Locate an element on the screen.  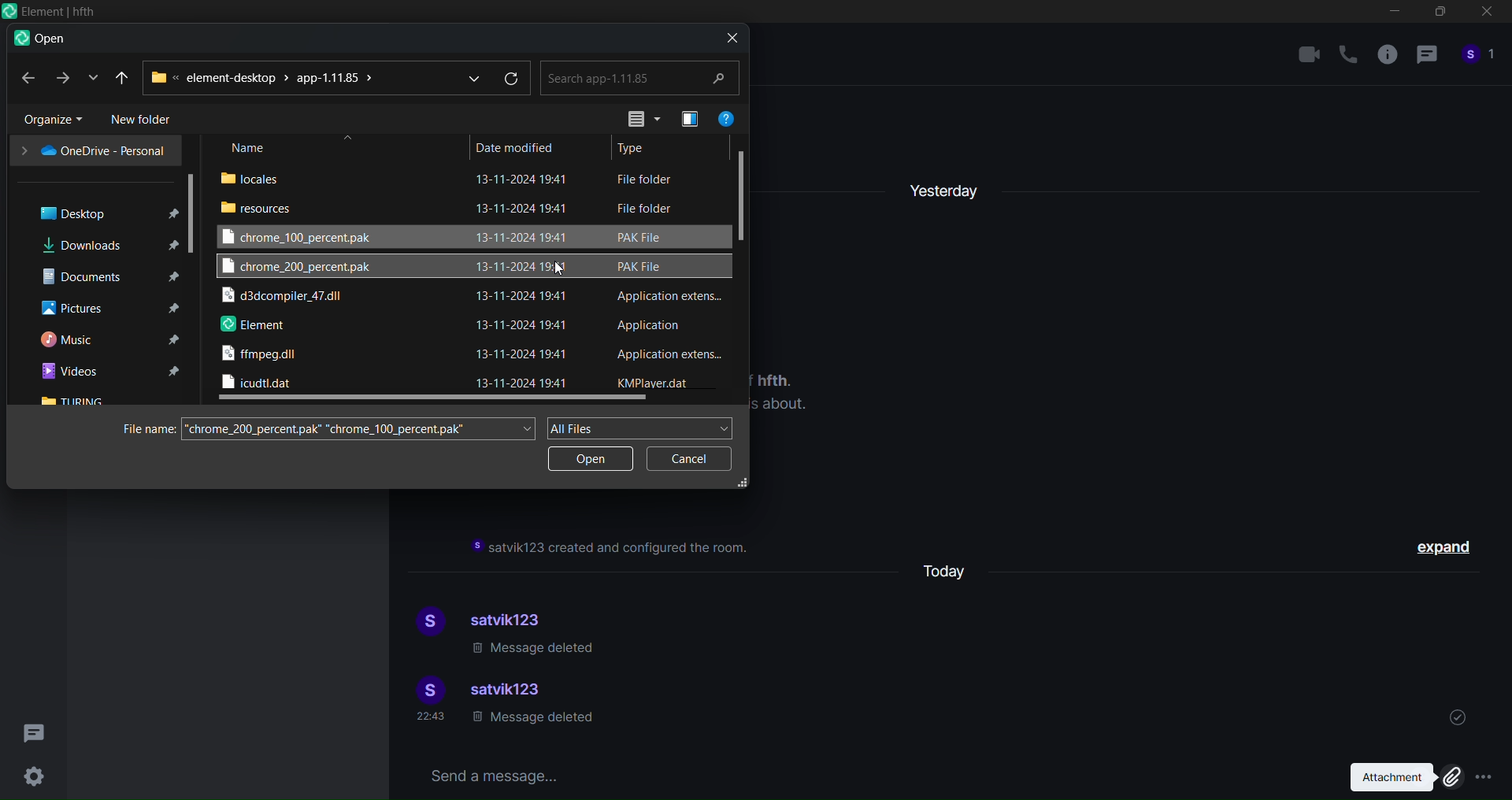
path is located at coordinates (265, 77).